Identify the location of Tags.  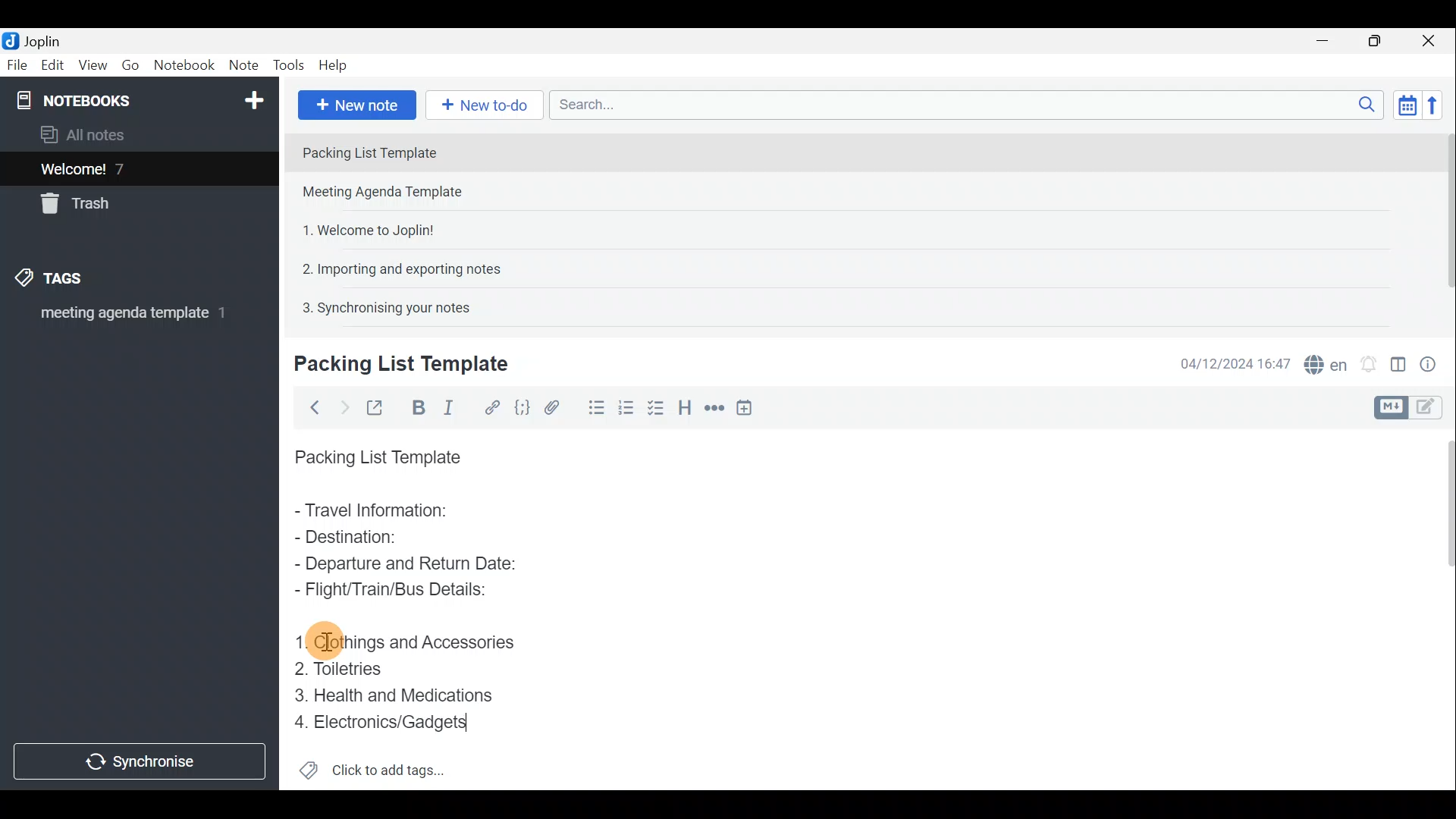
(74, 281).